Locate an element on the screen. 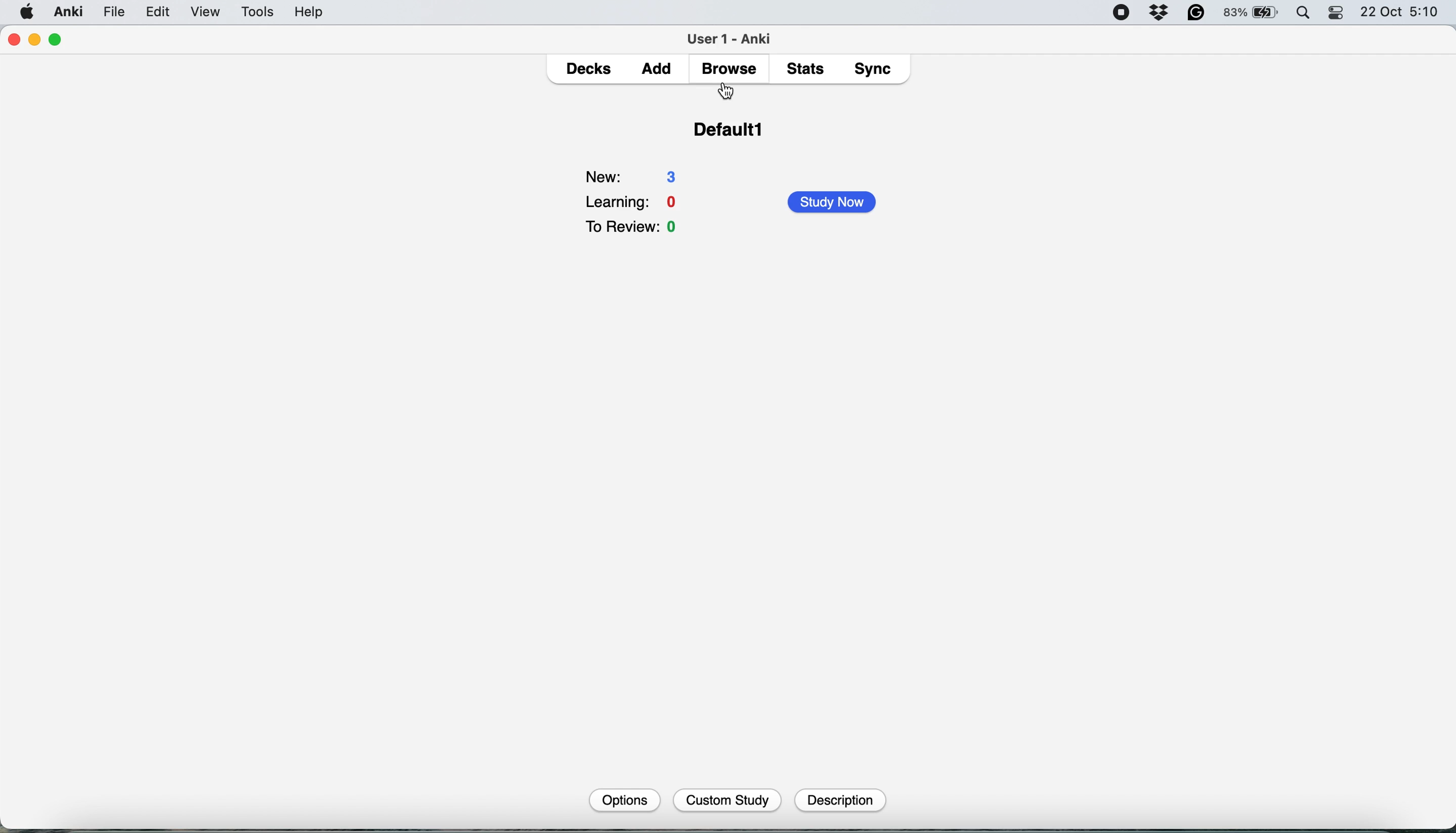 The width and height of the screenshot is (1456, 833). user 1 - Anki is located at coordinates (735, 37).